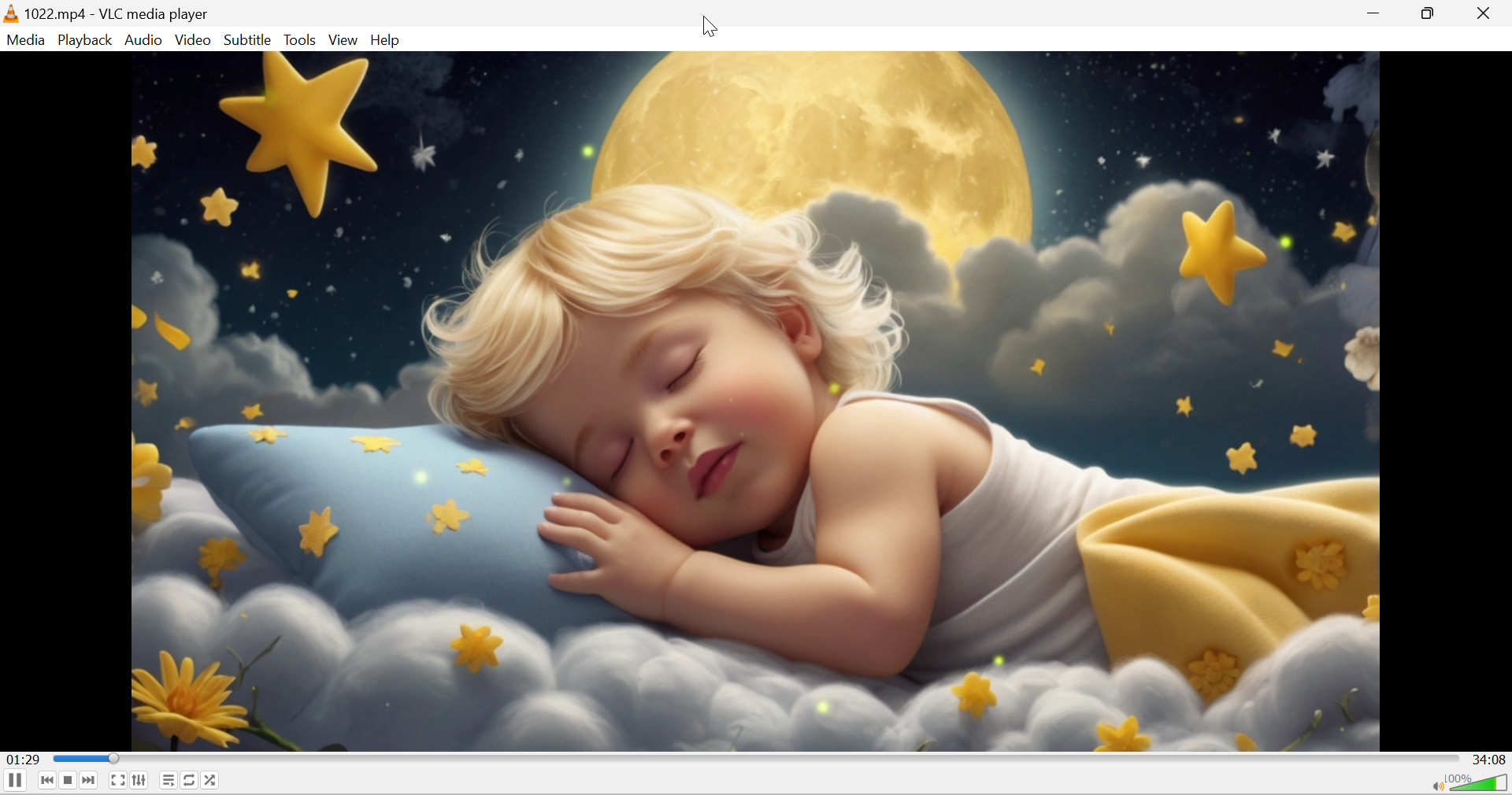  What do you see at coordinates (191, 780) in the screenshot?
I see `Click to toggle between loop all, loop one and no loop` at bounding box center [191, 780].